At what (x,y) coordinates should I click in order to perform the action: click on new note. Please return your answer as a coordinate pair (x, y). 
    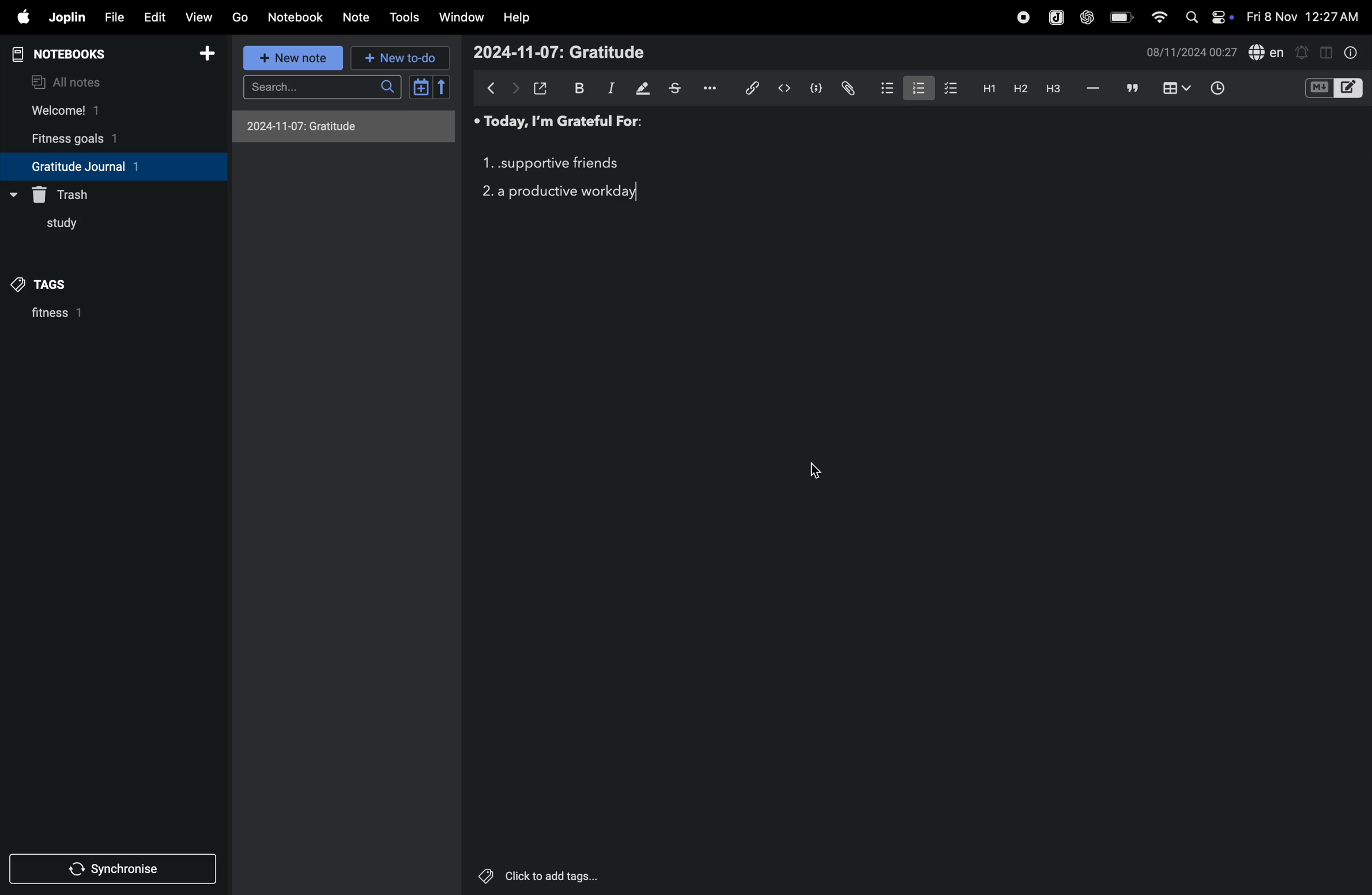
    Looking at the image, I should click on (295, 59).